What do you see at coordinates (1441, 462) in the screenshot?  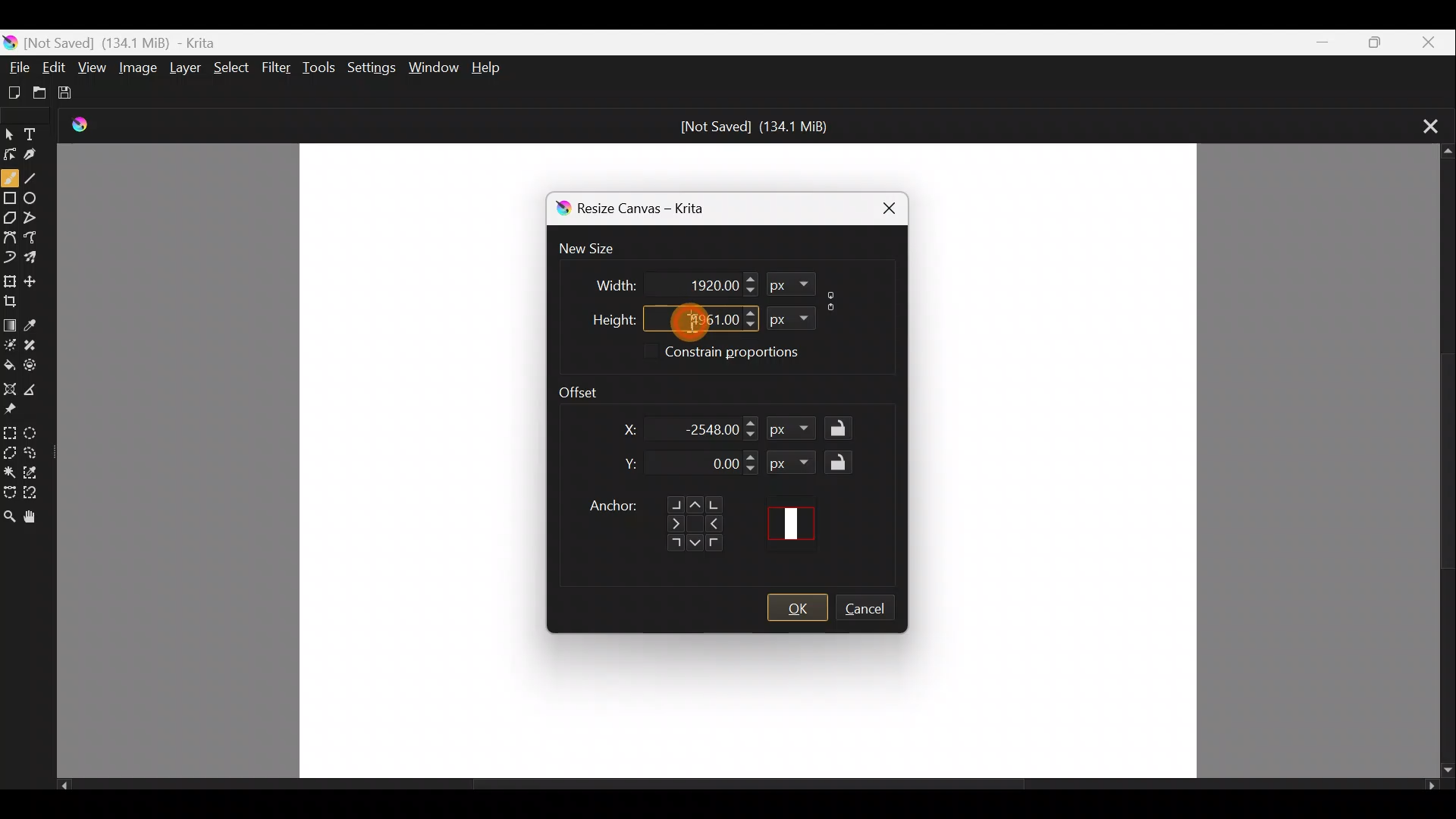 I see `Scroll bar` at bounding box center [1441, 462].